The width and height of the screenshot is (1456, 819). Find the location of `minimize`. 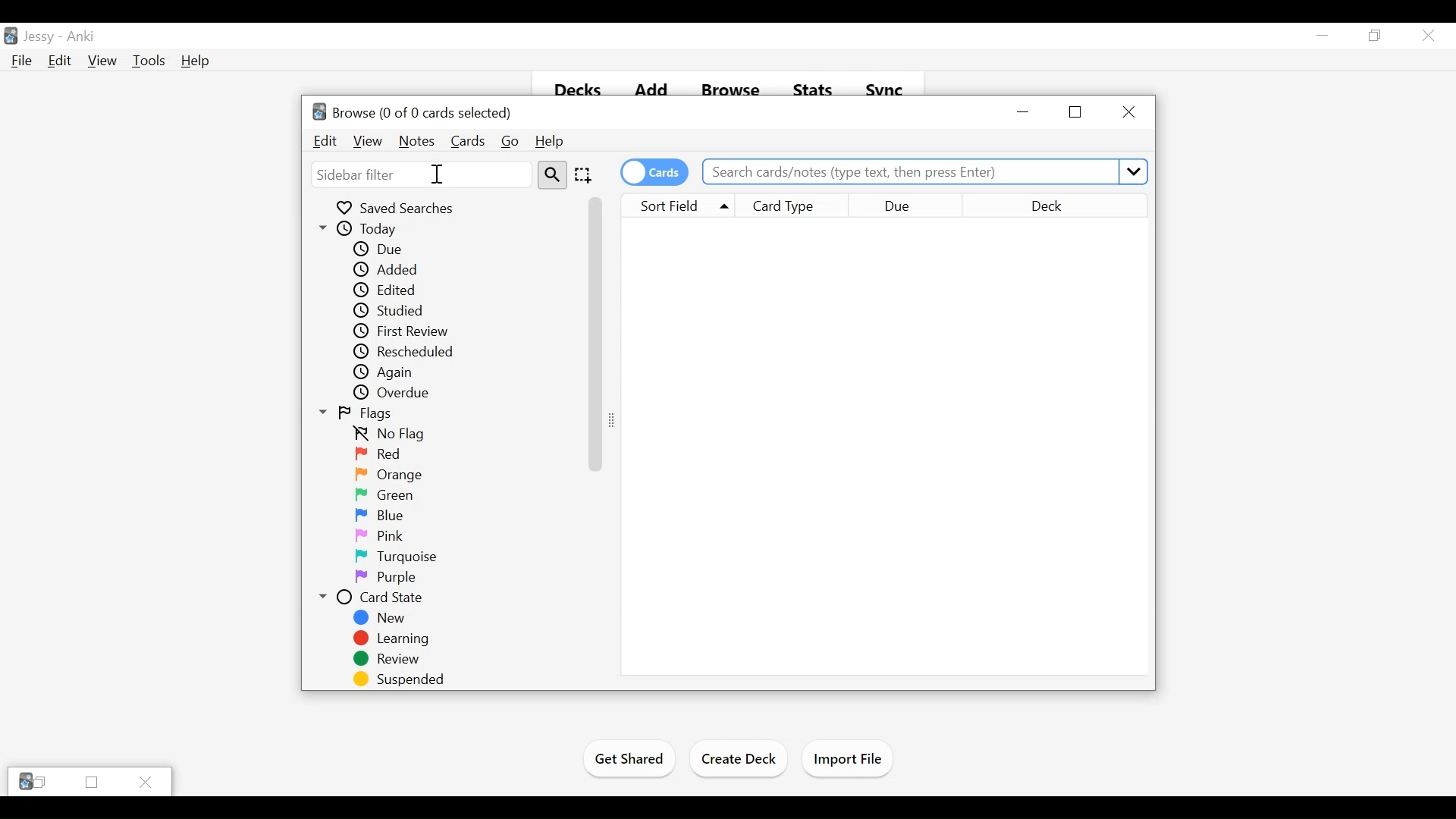

minimize is located at coordinates (1323, 35).